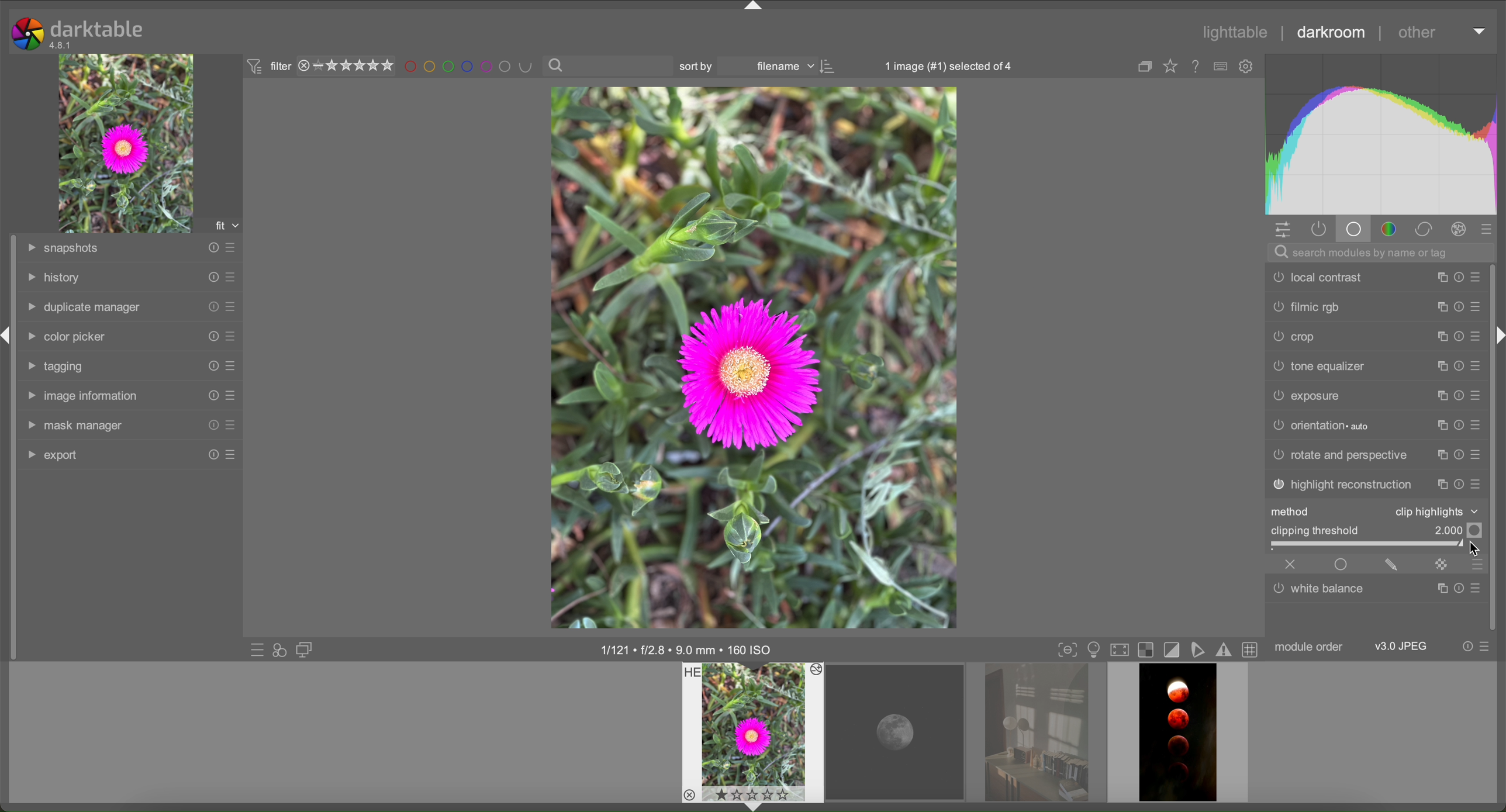 This screenshot has width=1506, height=812. Describe the element at coordinates (1342, 564) in the screenshot. I see `enable` at that location.